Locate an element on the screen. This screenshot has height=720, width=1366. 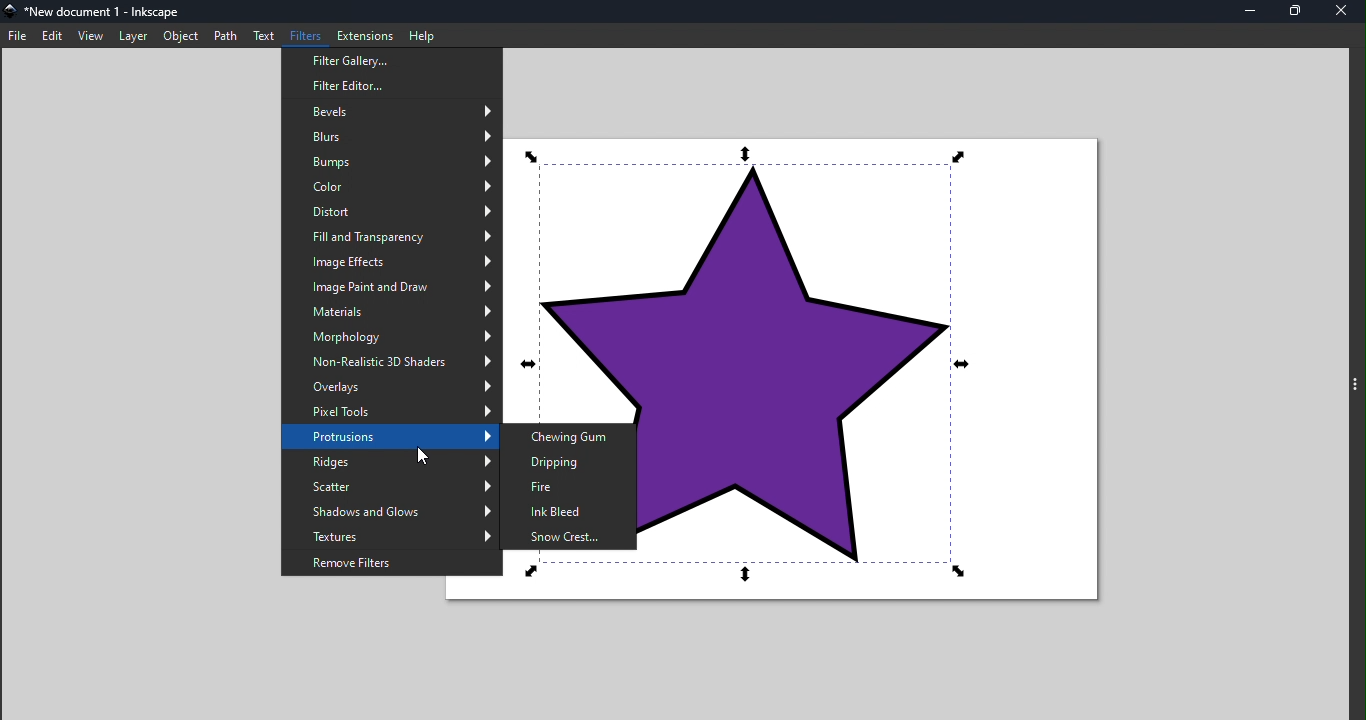
Non-Realistic 3D Shades is located at coordinates (391, 365).